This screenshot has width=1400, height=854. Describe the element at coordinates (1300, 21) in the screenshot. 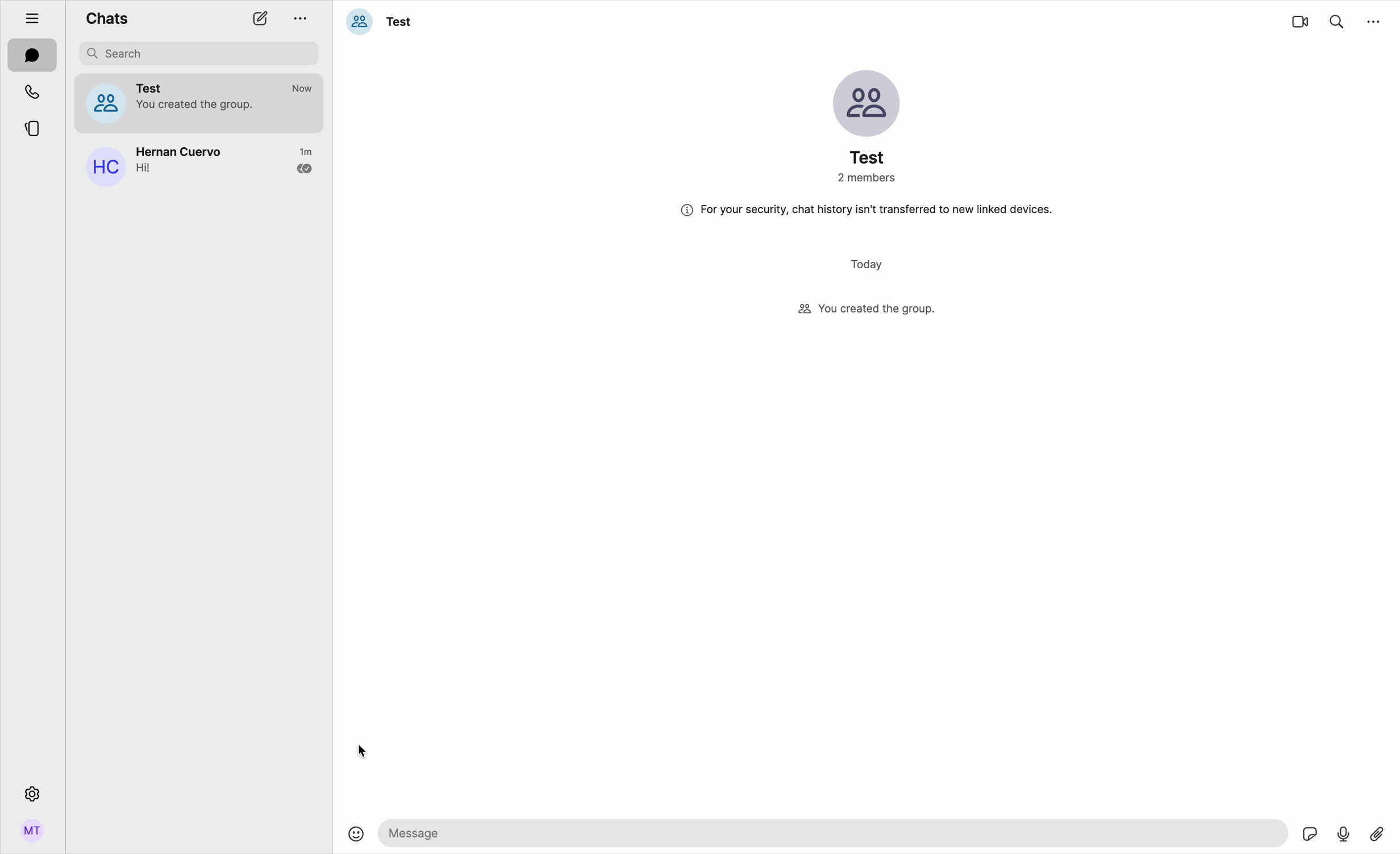

I see `videocall` at that location.